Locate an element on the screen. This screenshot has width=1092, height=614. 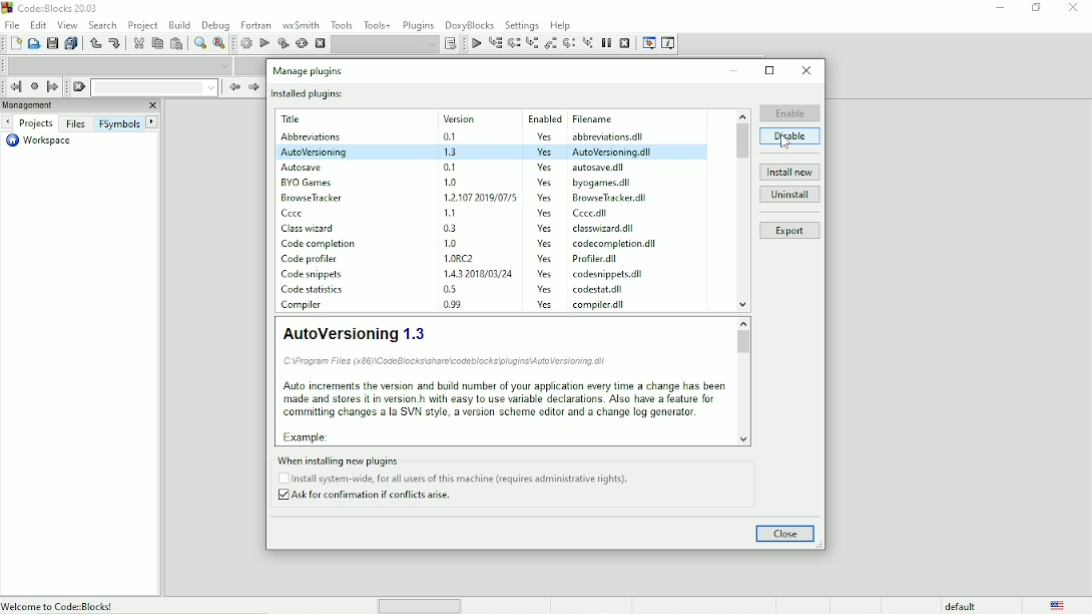
Cccc.dll is located at coordinates (593, 214).